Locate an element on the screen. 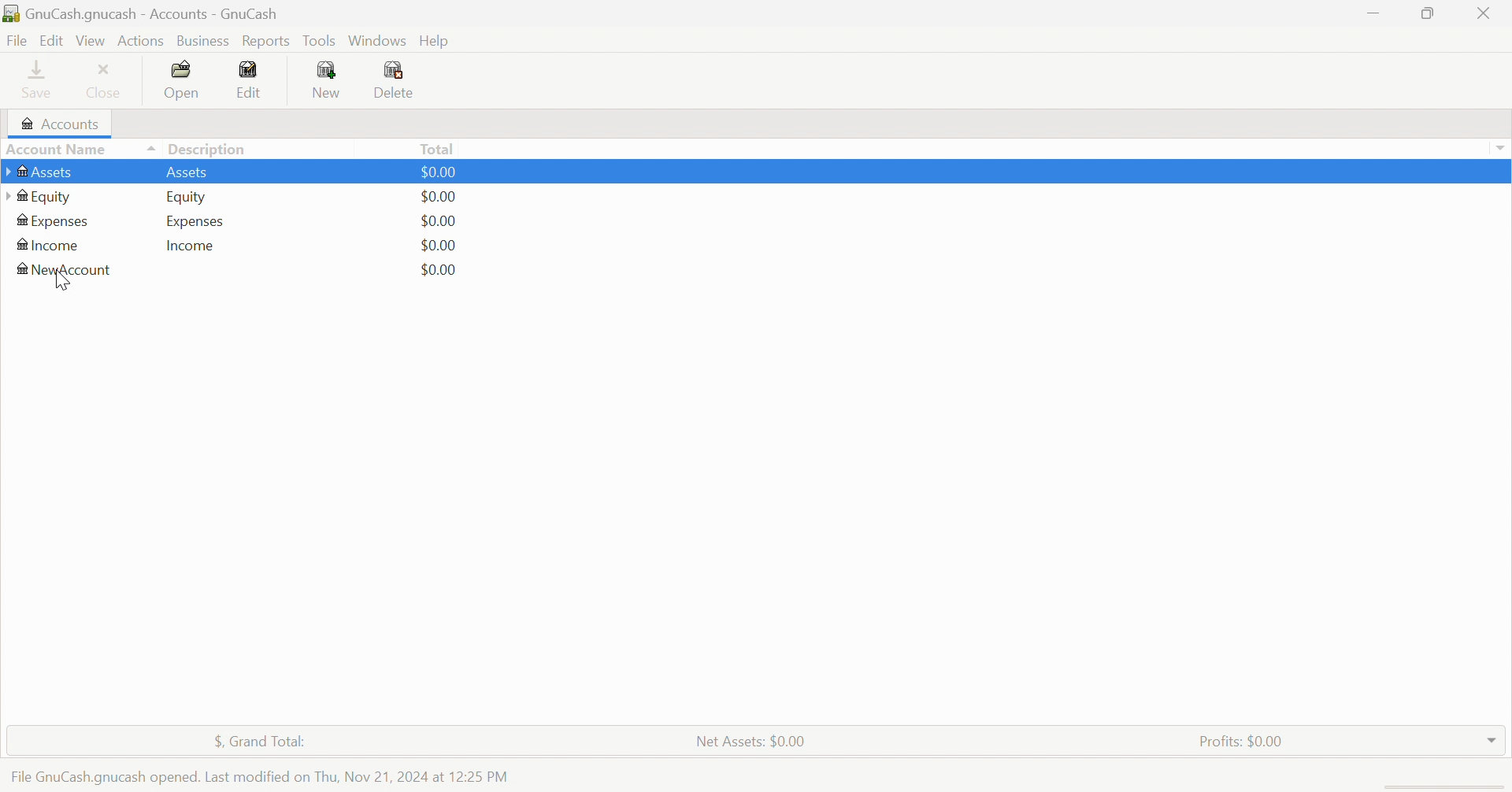 The width and height of the screenshot is (1512, 792). Expenses is located at coordinates (55, 221).